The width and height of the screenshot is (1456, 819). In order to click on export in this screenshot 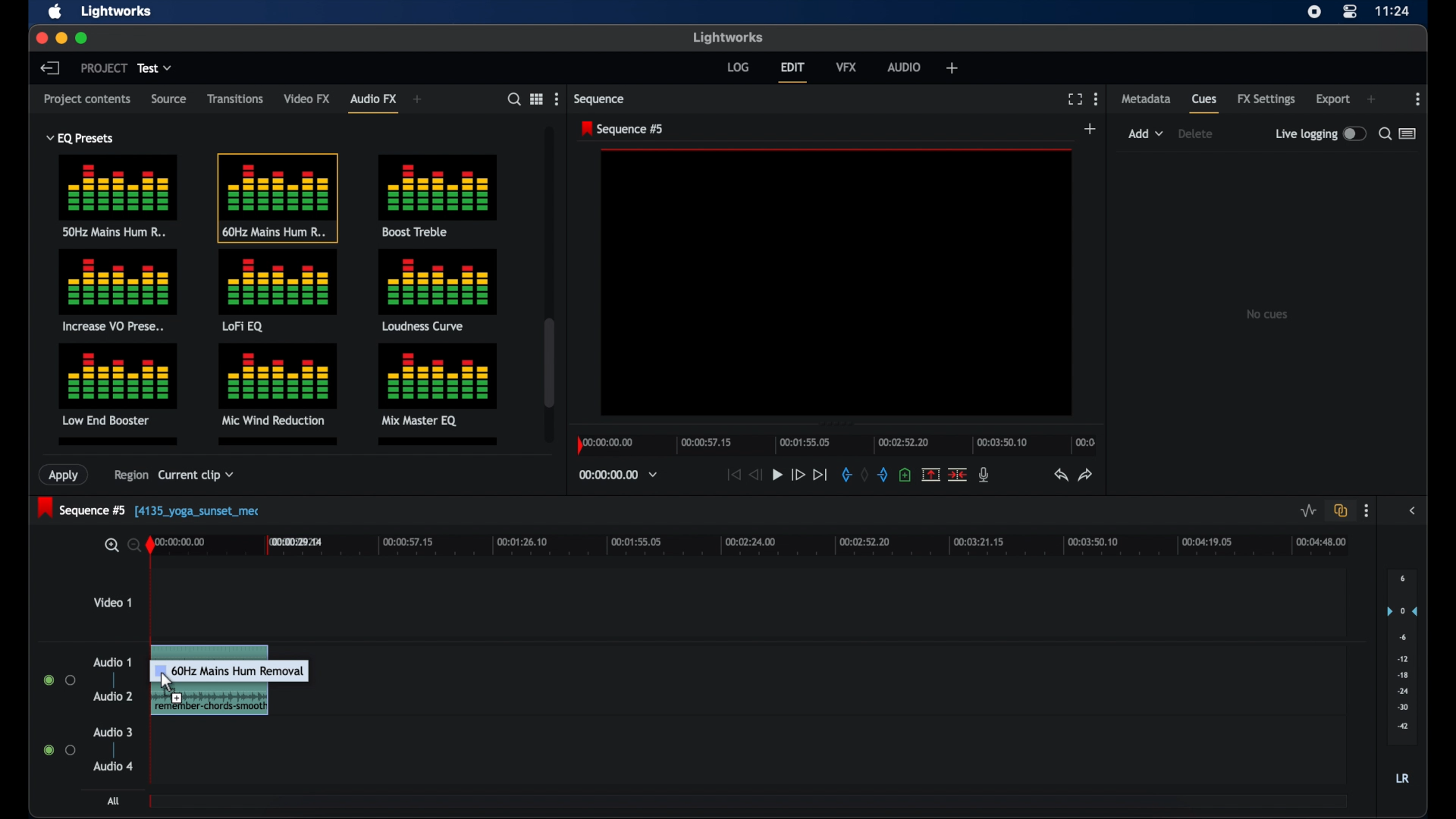, I will do `click(1332, 99)`.